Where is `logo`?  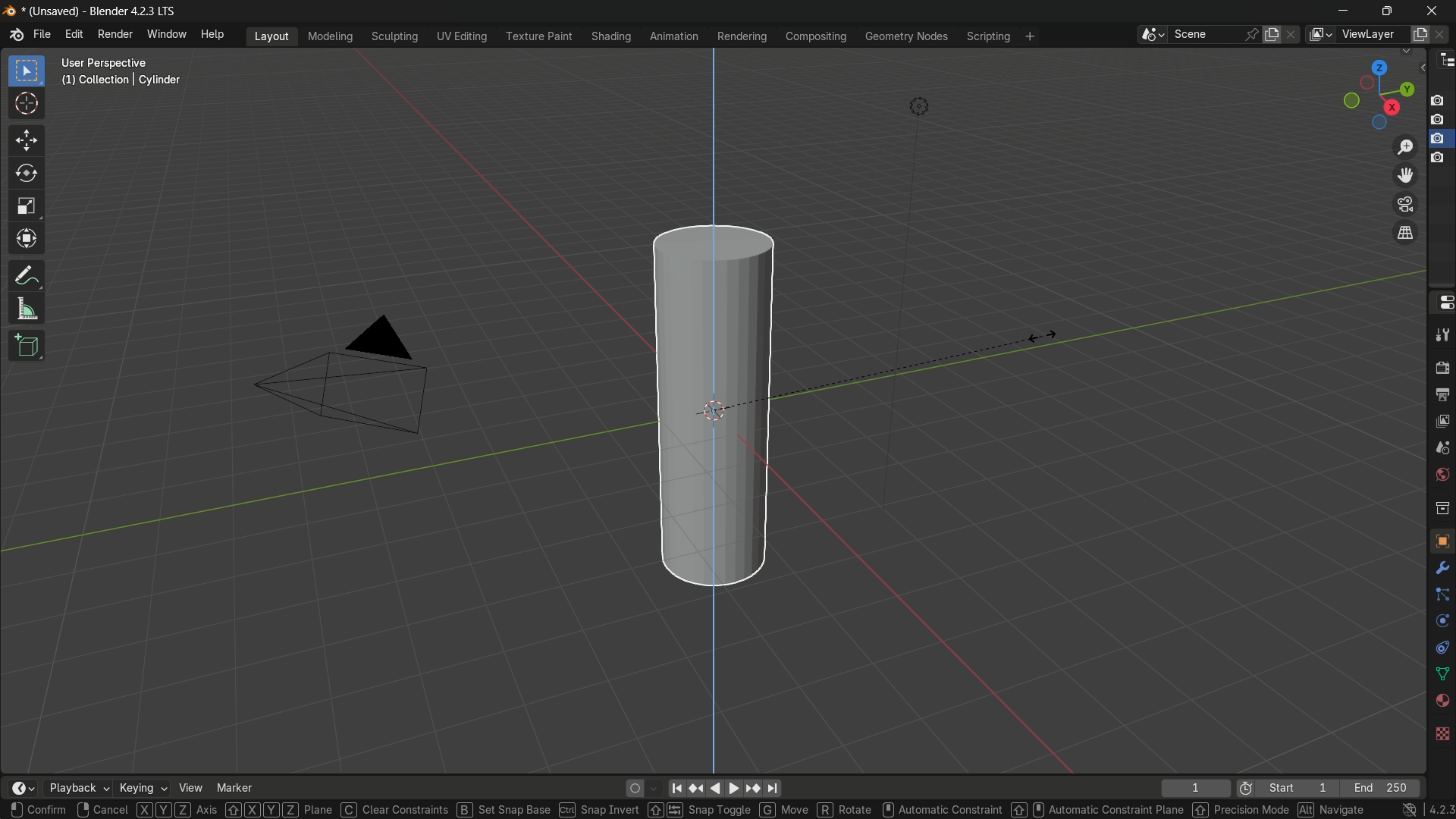
logo is located at coordinates (16, 35).